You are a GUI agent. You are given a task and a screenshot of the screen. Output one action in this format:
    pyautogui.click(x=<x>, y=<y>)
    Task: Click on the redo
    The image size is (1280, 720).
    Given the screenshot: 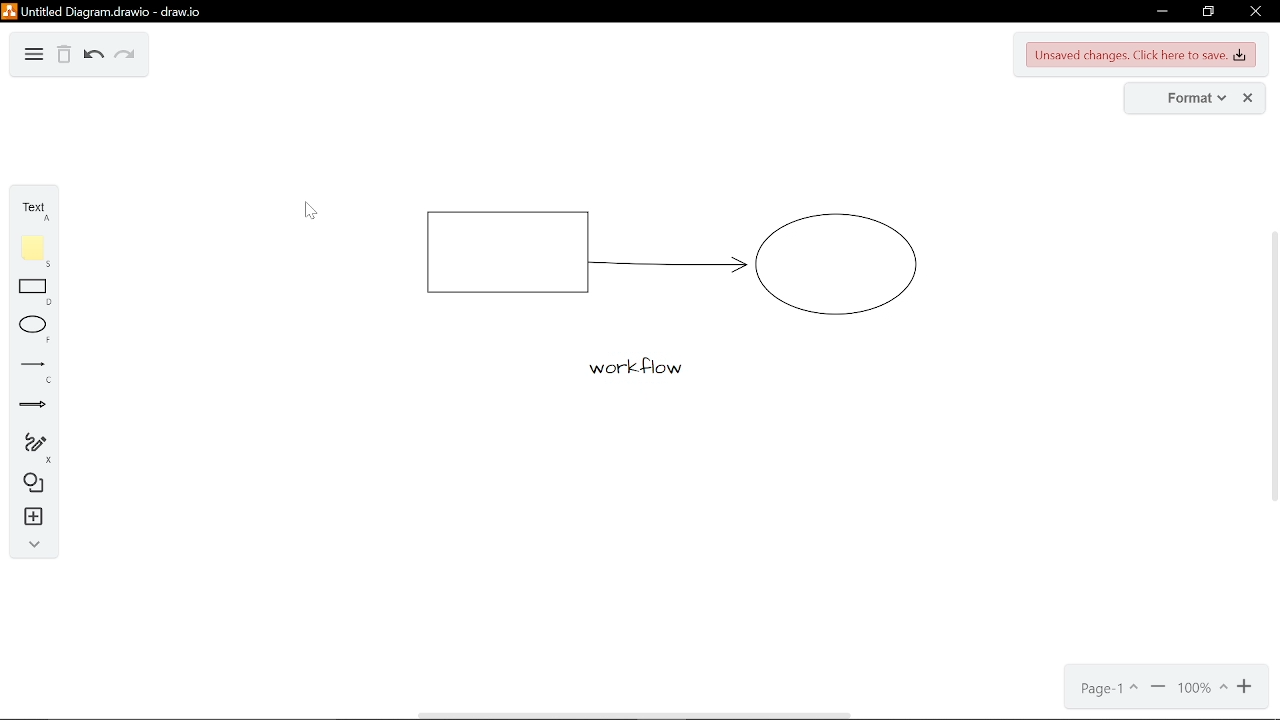 What is the action you would take?
    pyautogui.click(x=127, y=58)
    